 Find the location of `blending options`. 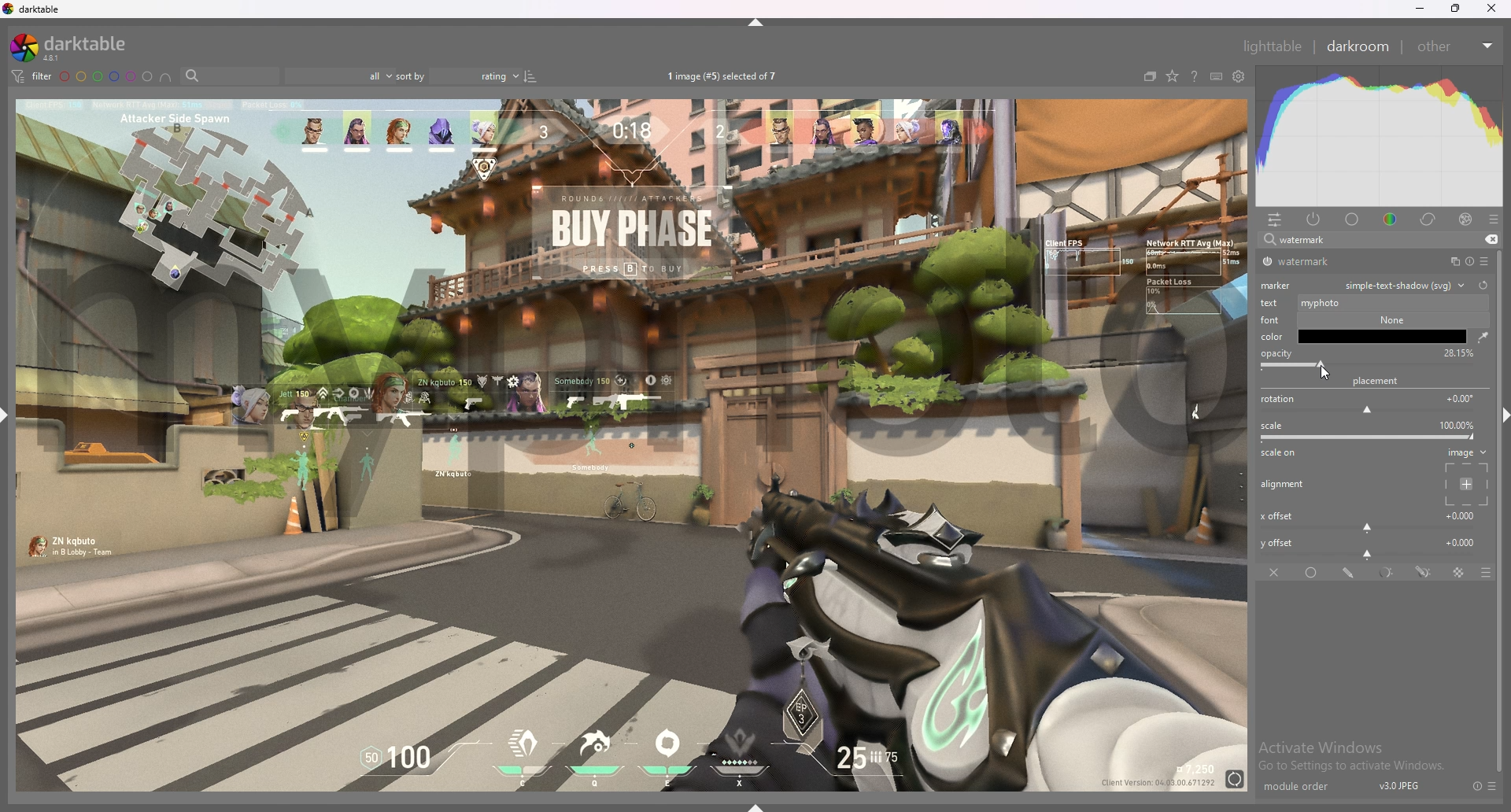

blending options is located at coordinates (1478, 573).